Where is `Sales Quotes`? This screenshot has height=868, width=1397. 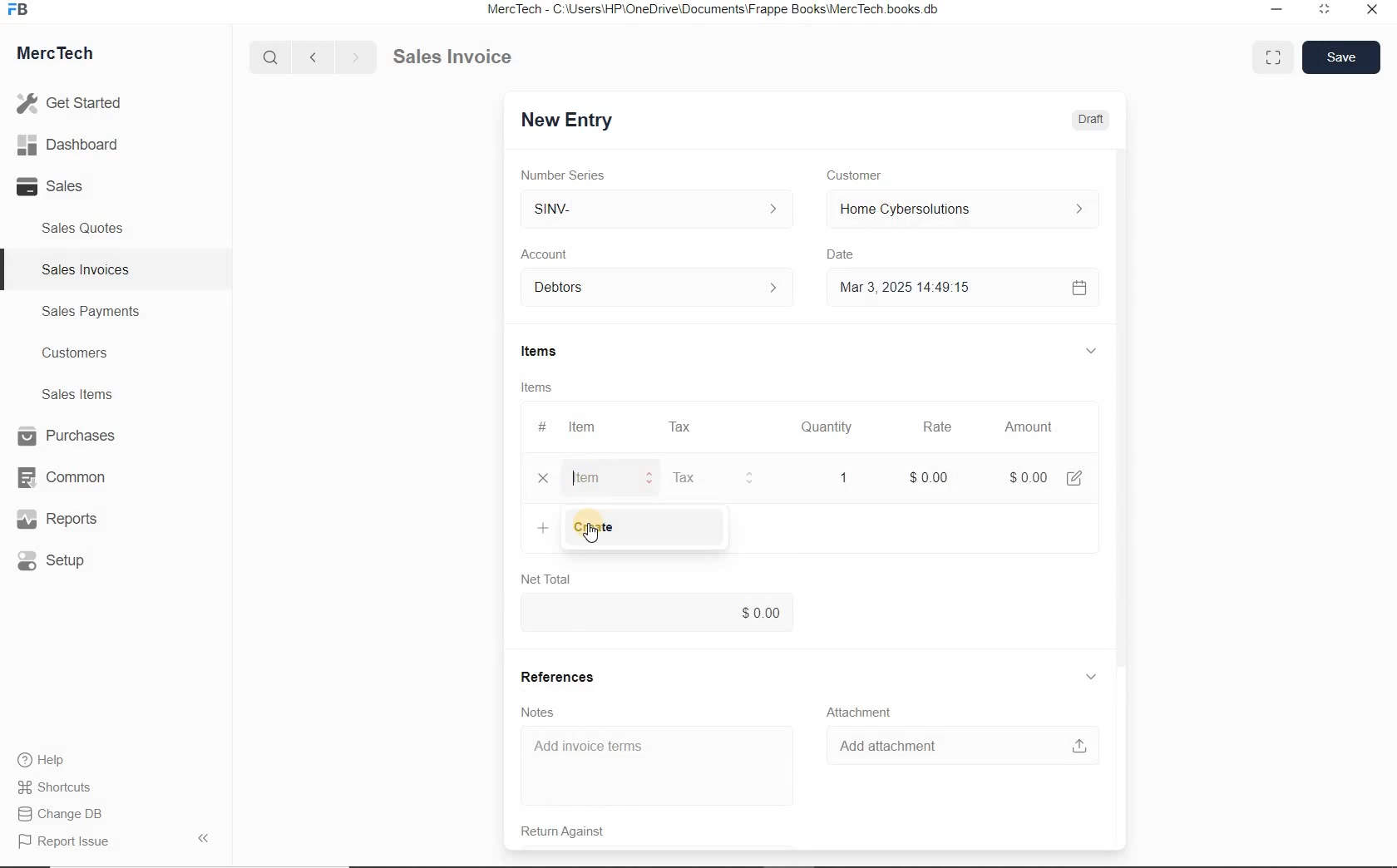 Sales Quotes is located at coordinates (86, 228).